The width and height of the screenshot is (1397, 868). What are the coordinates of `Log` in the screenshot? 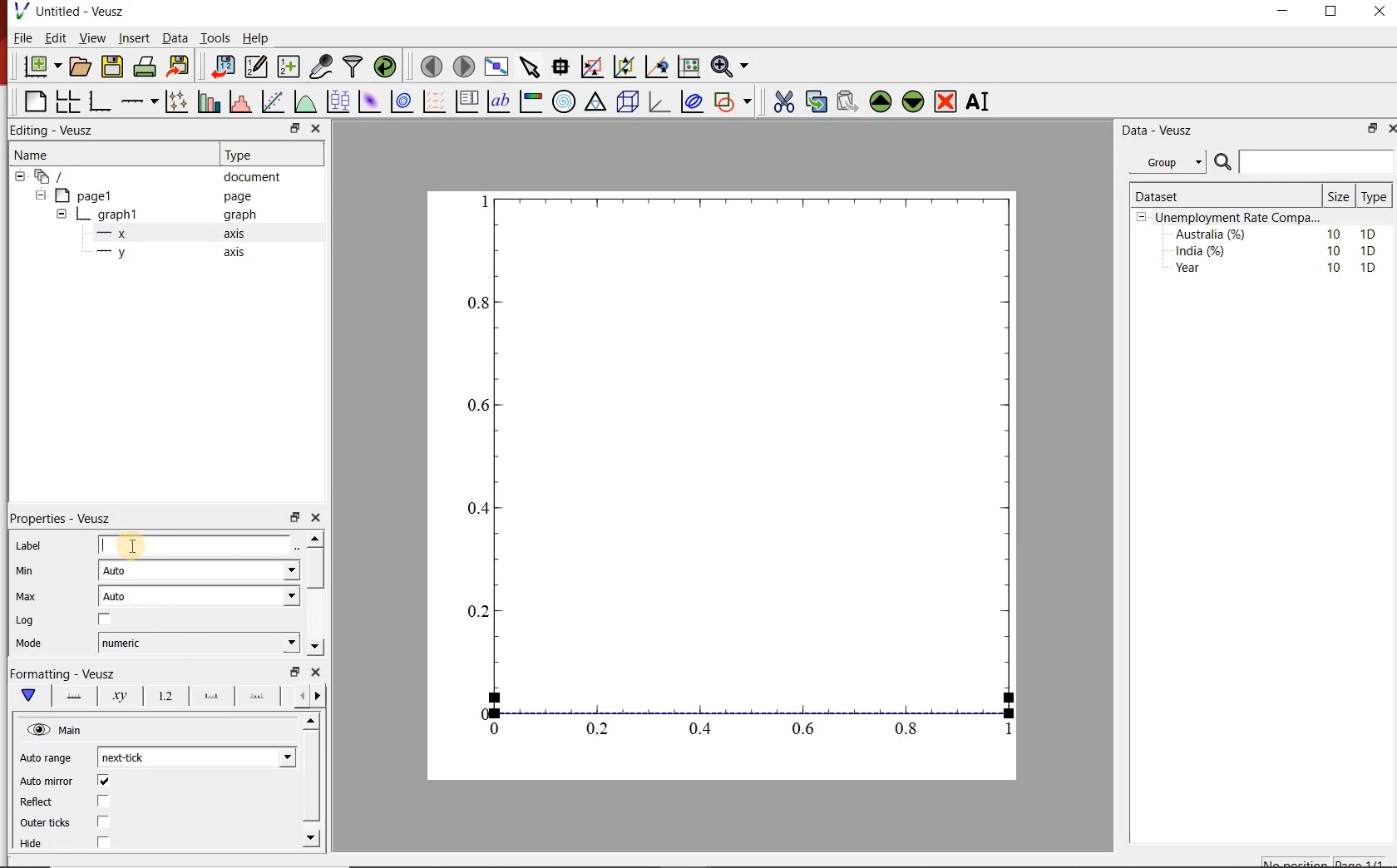 It's located at (31, 622).